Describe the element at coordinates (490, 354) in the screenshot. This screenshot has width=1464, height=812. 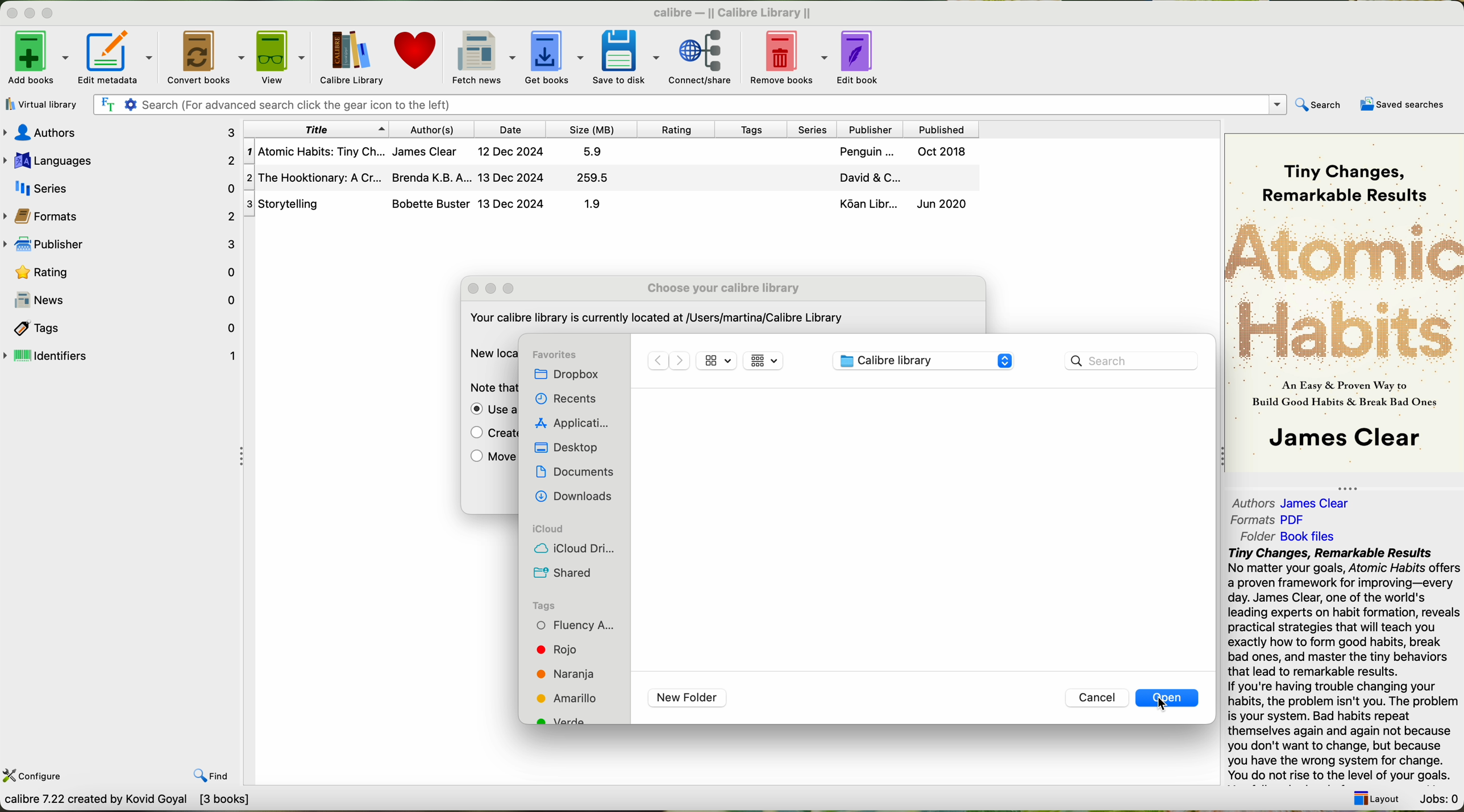
I see `New location:` at that location.